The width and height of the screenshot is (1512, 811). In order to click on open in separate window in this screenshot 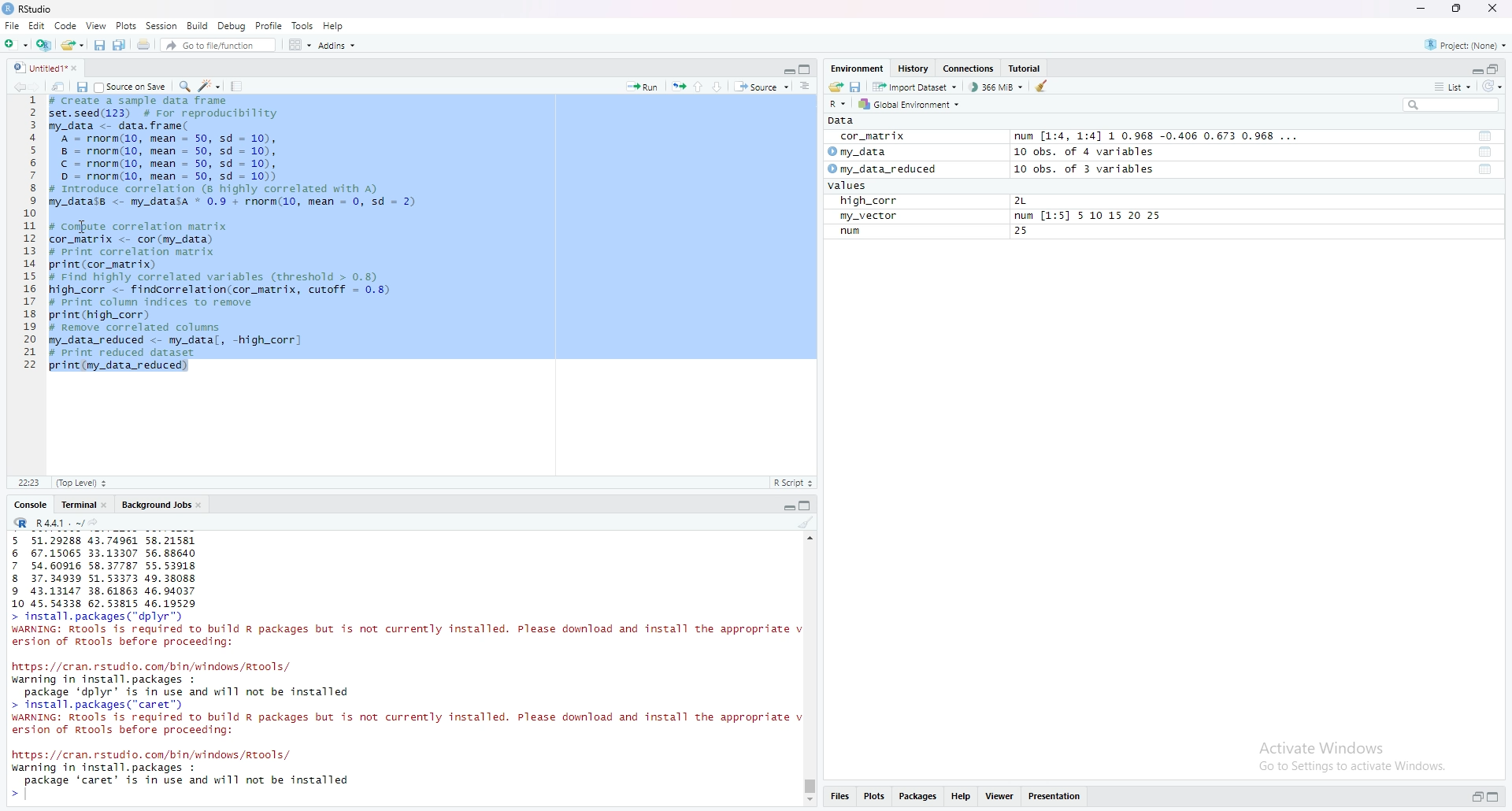, I will do `click(1495, 69)`.